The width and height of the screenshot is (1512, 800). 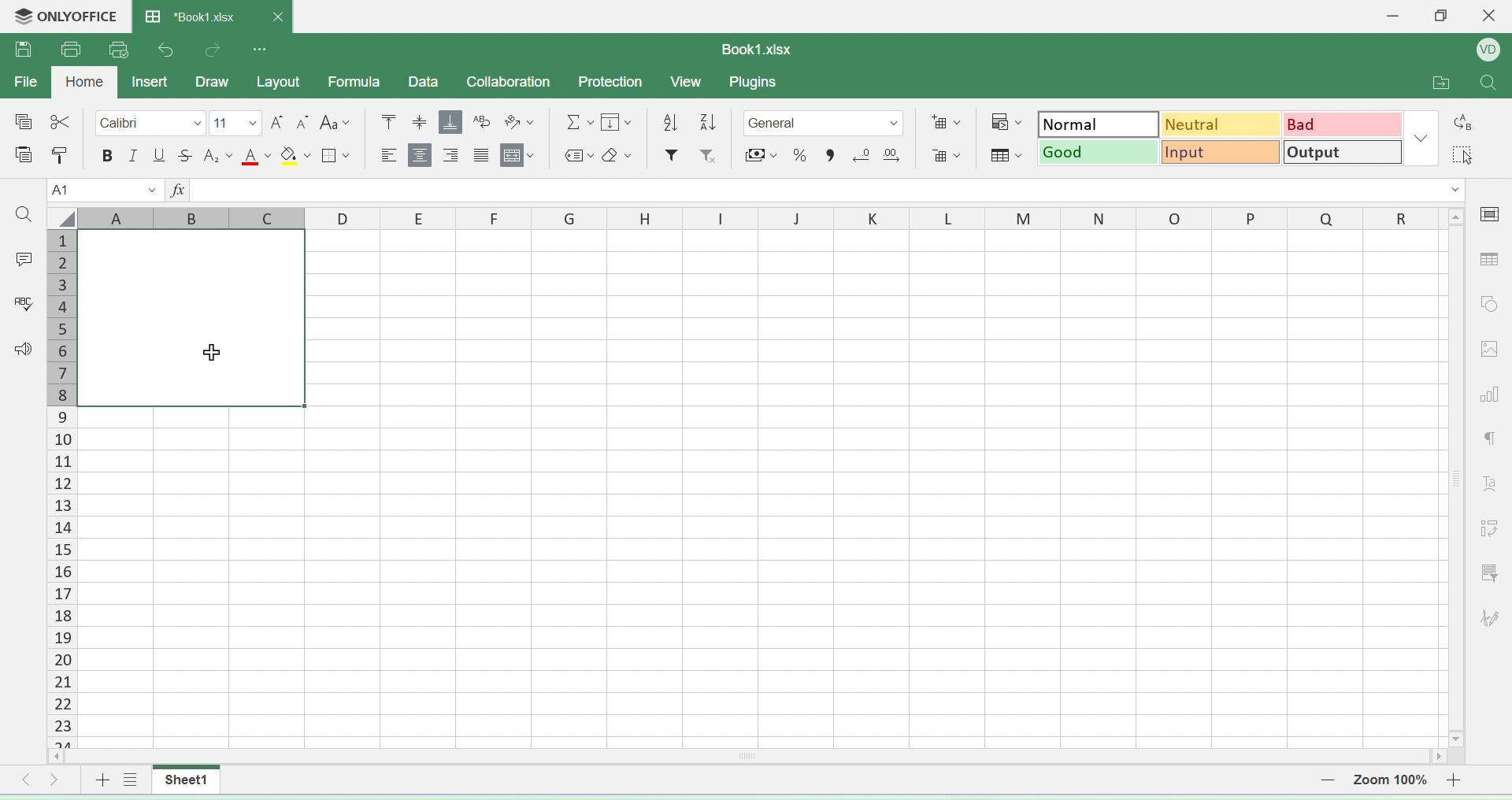 I want to click on restore, so click(x=1441, y=18).